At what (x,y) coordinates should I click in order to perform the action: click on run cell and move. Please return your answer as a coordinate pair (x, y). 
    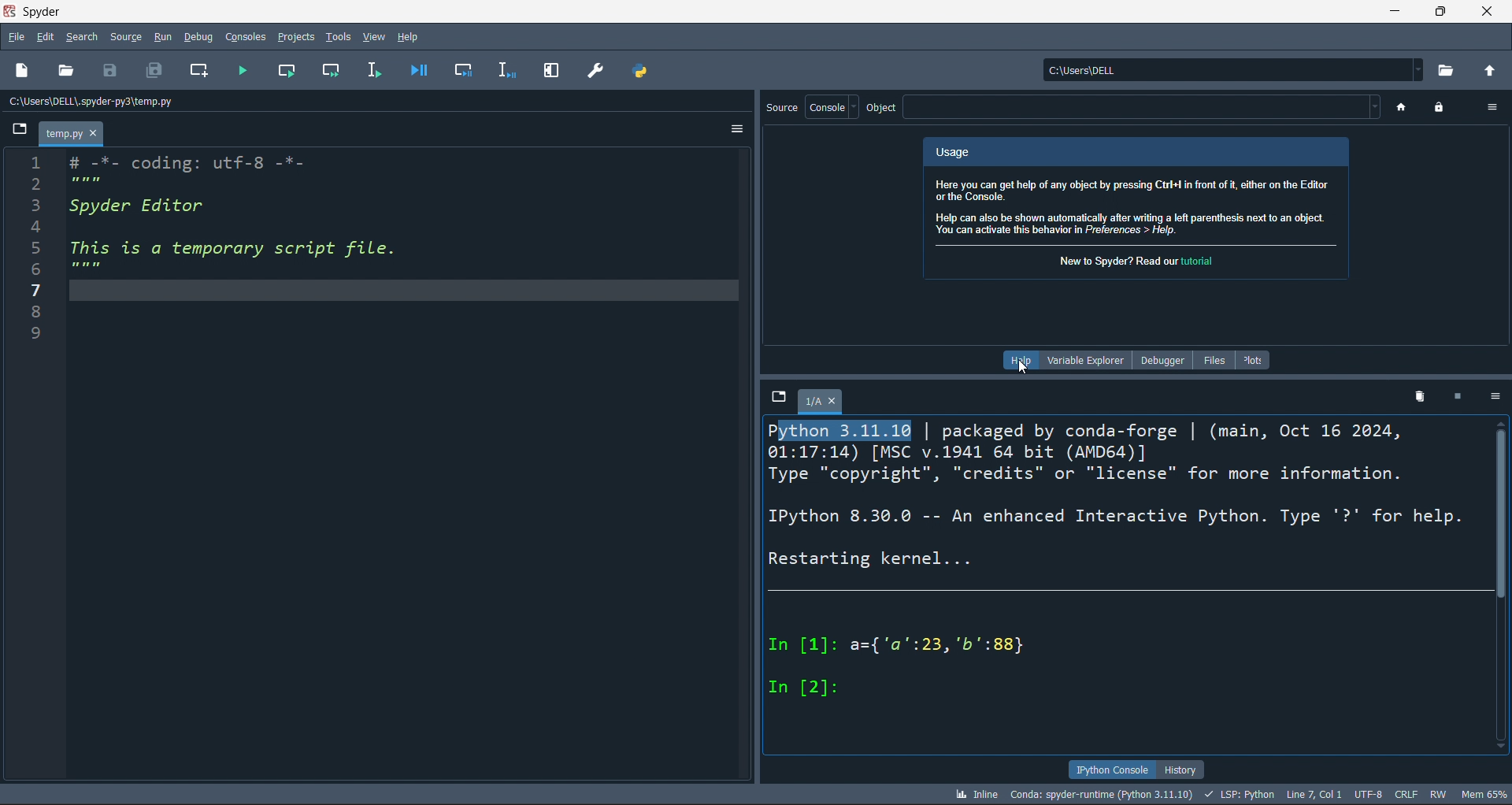
    Looking at the image, I should click on (331, 69).